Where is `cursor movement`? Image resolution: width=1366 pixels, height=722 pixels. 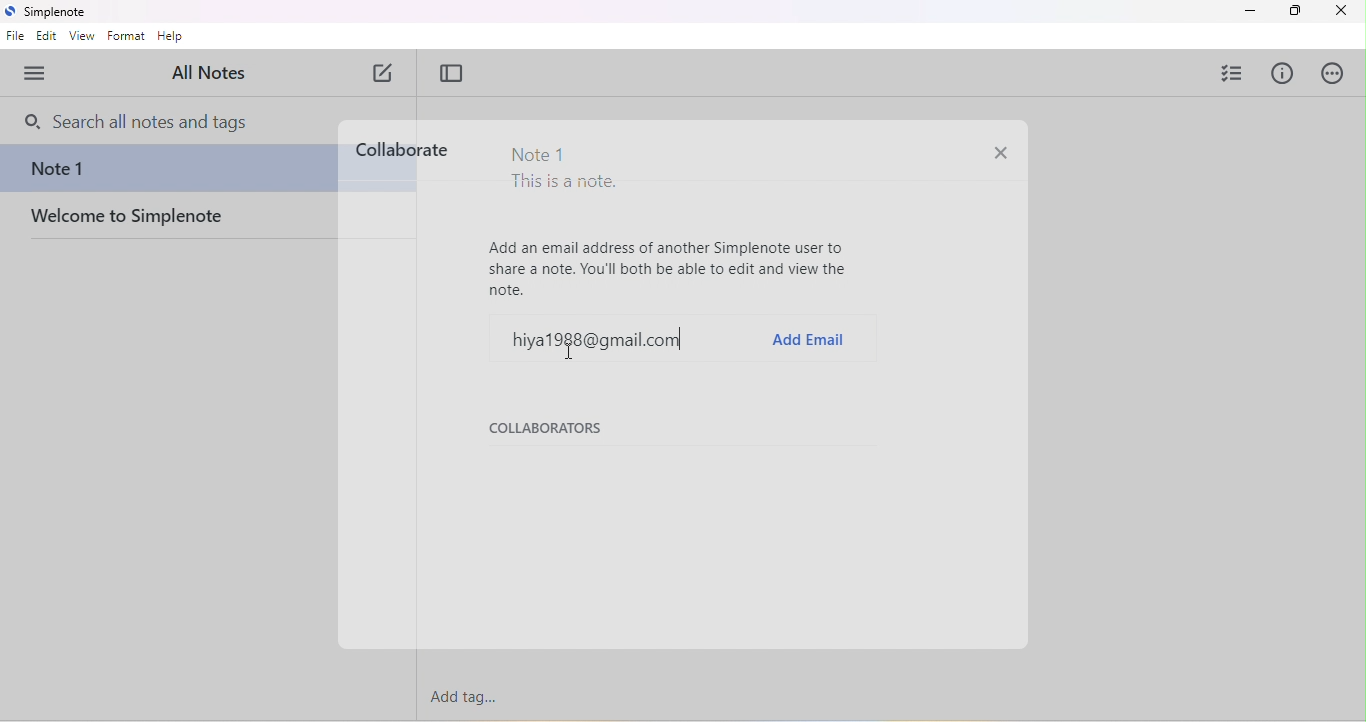 cursor movement is located at coordinates (580, 353).